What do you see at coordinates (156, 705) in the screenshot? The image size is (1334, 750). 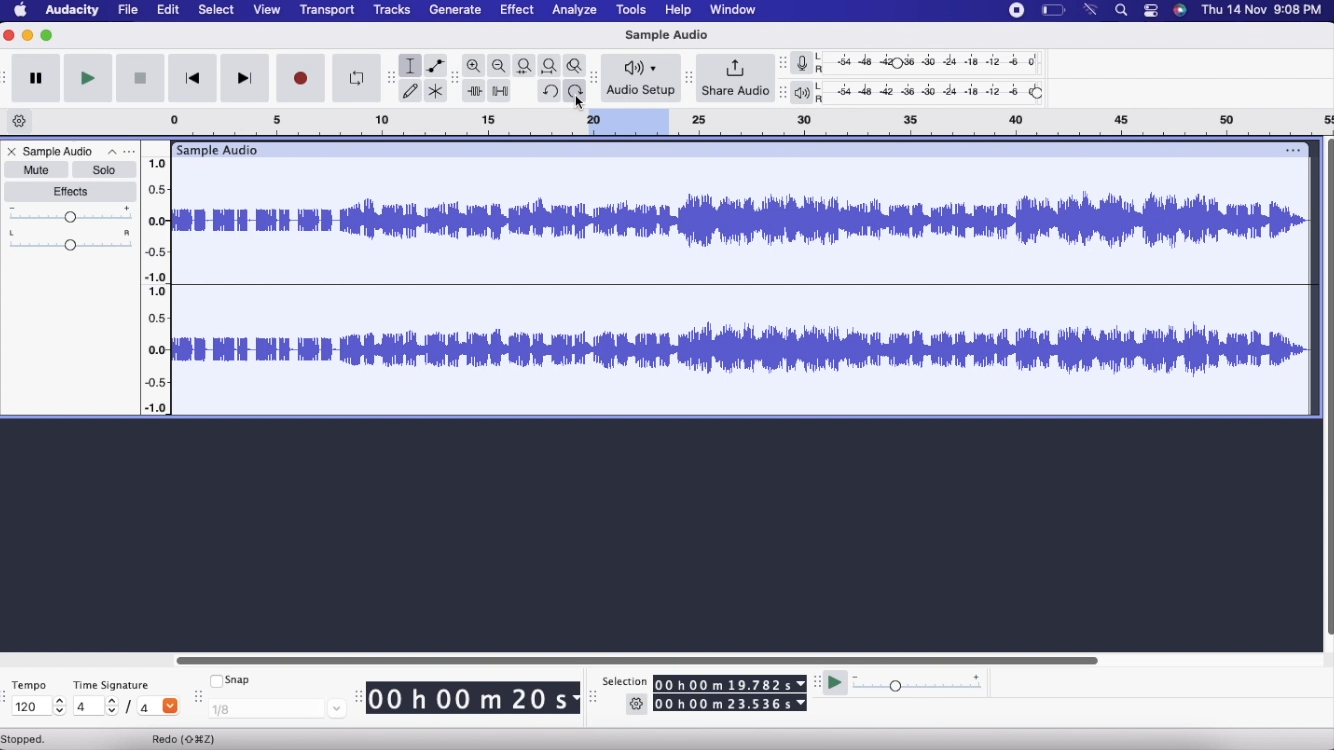 I see `/4` at bounding box center [156, 705].